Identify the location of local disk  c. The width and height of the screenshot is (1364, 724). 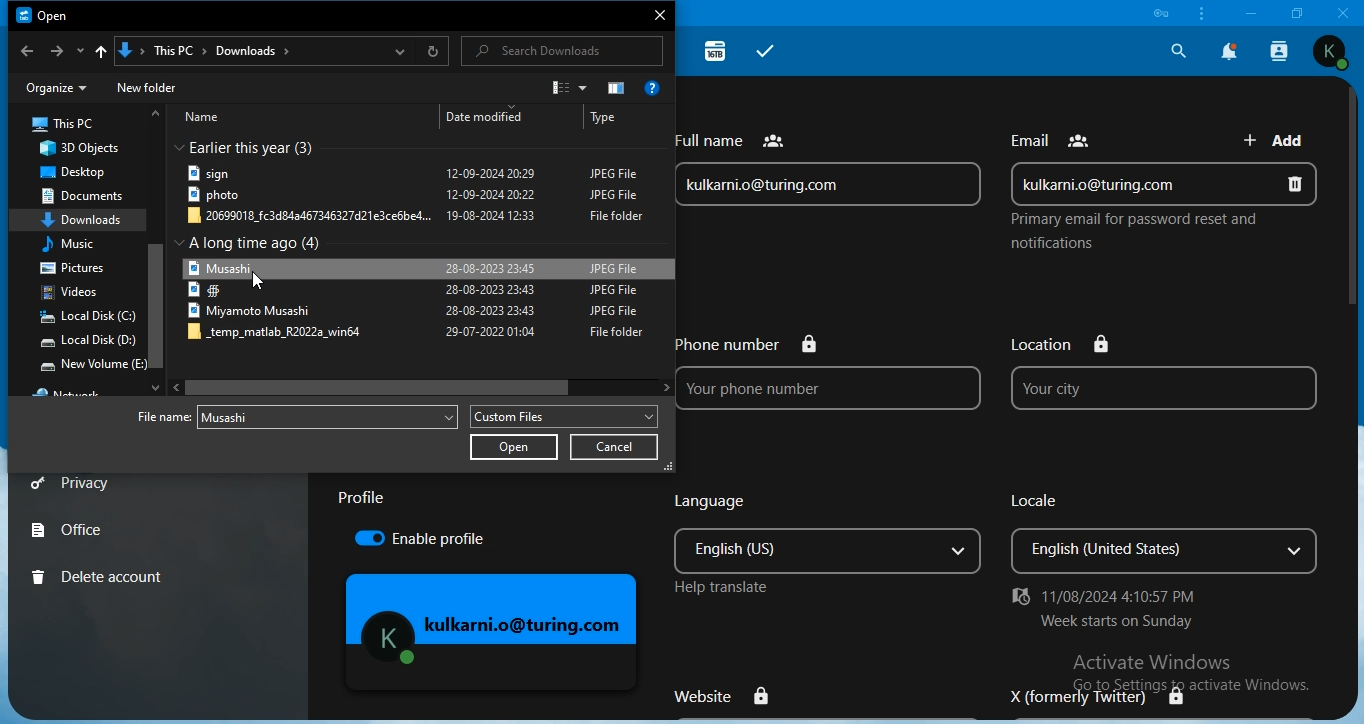
(85, 318).